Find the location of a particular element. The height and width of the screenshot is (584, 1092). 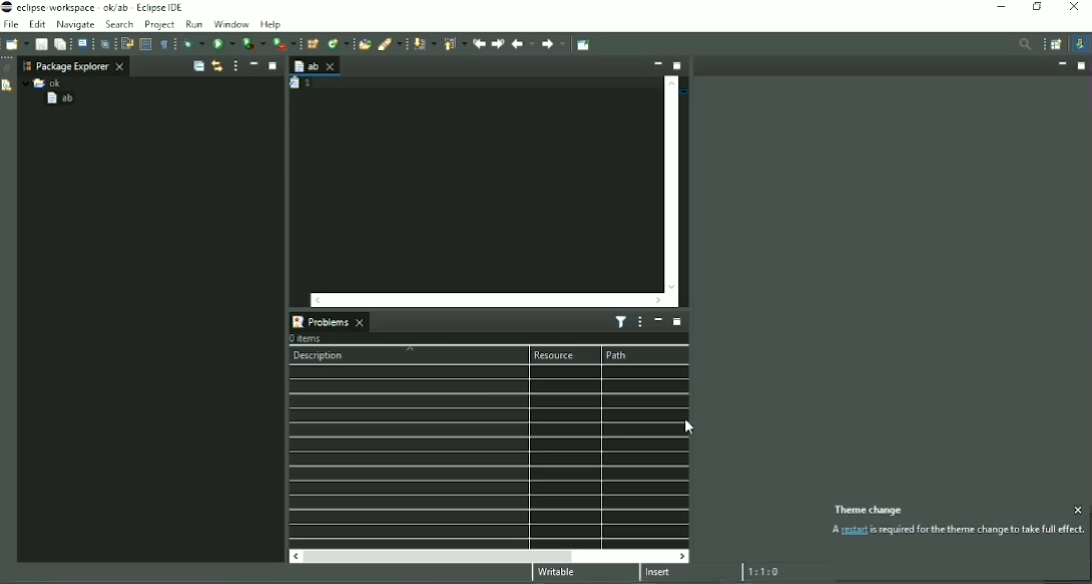

Writable is located at coordinates (559, 575).